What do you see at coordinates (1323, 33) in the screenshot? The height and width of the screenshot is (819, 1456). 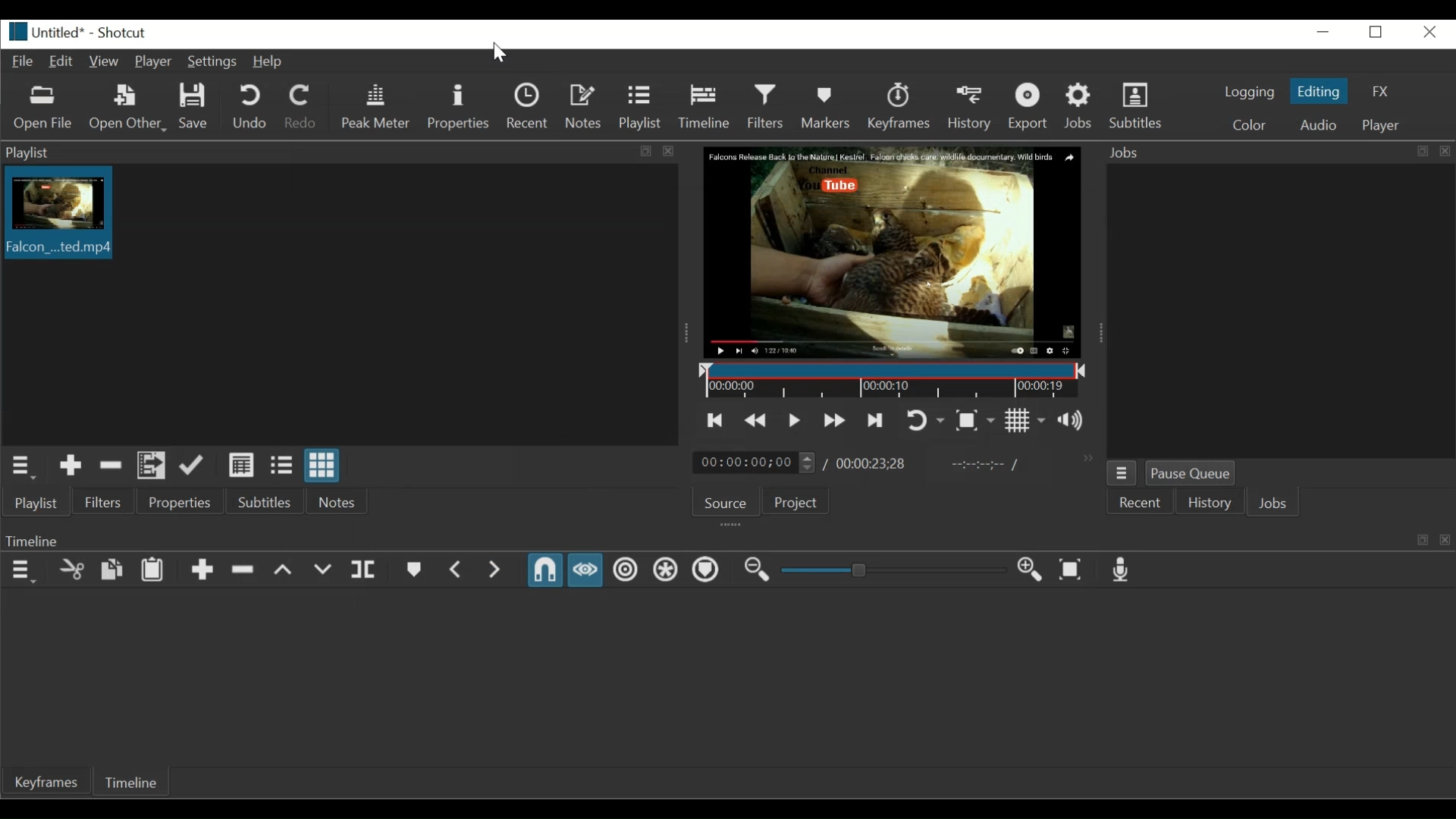 I see `minimize` at bounding box center [1323, 33].